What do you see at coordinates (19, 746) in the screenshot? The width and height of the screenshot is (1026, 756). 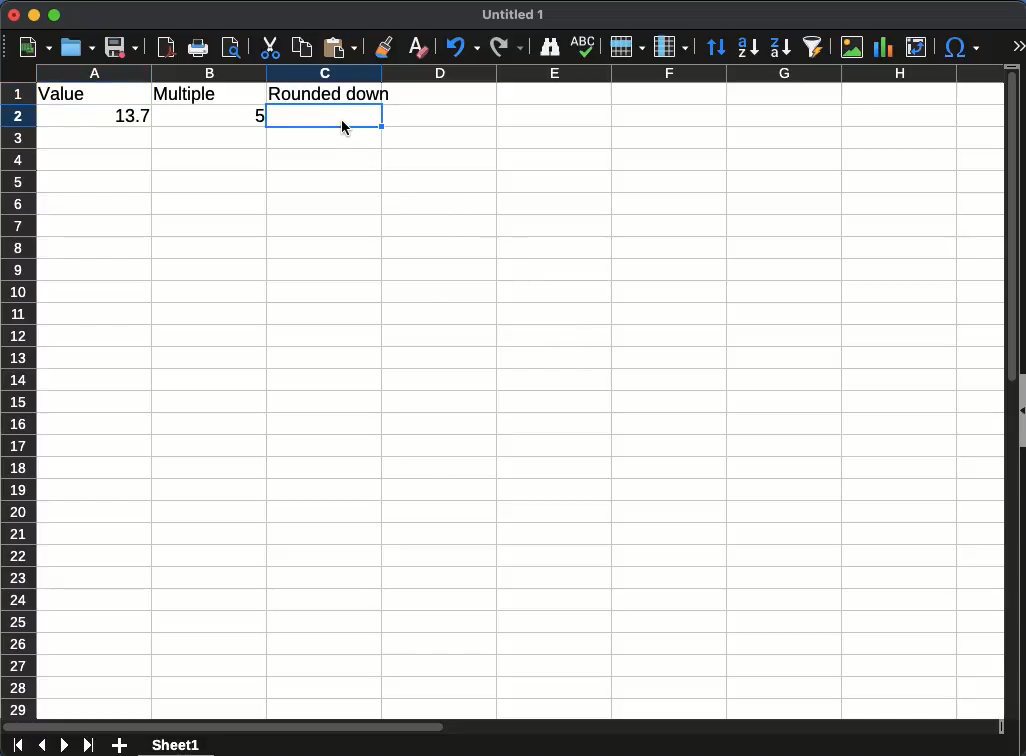 I see `first sheet` at bounding box center [19, 746].